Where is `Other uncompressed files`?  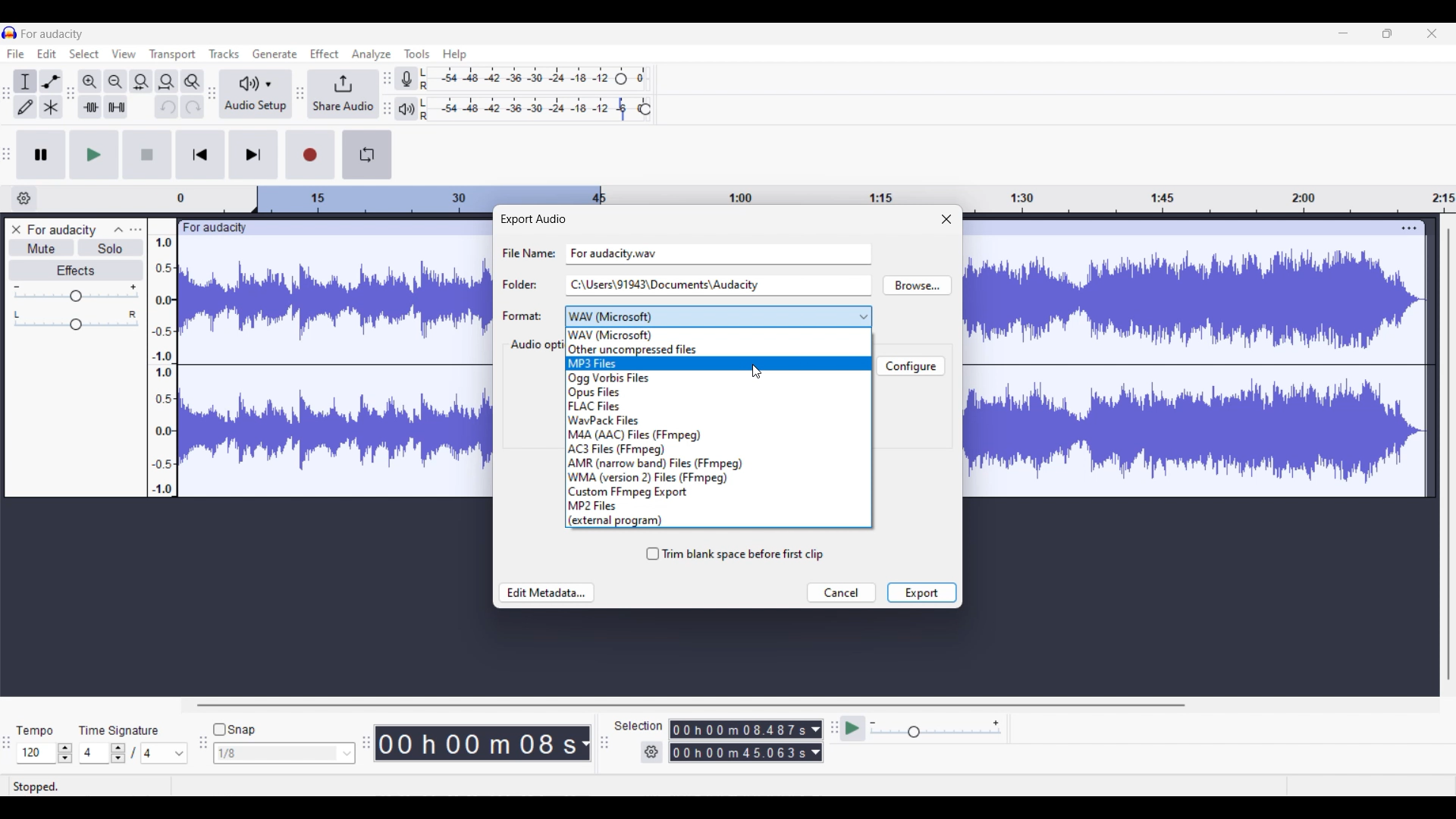
Other uncompressed files is located at coordinates (719, 350).